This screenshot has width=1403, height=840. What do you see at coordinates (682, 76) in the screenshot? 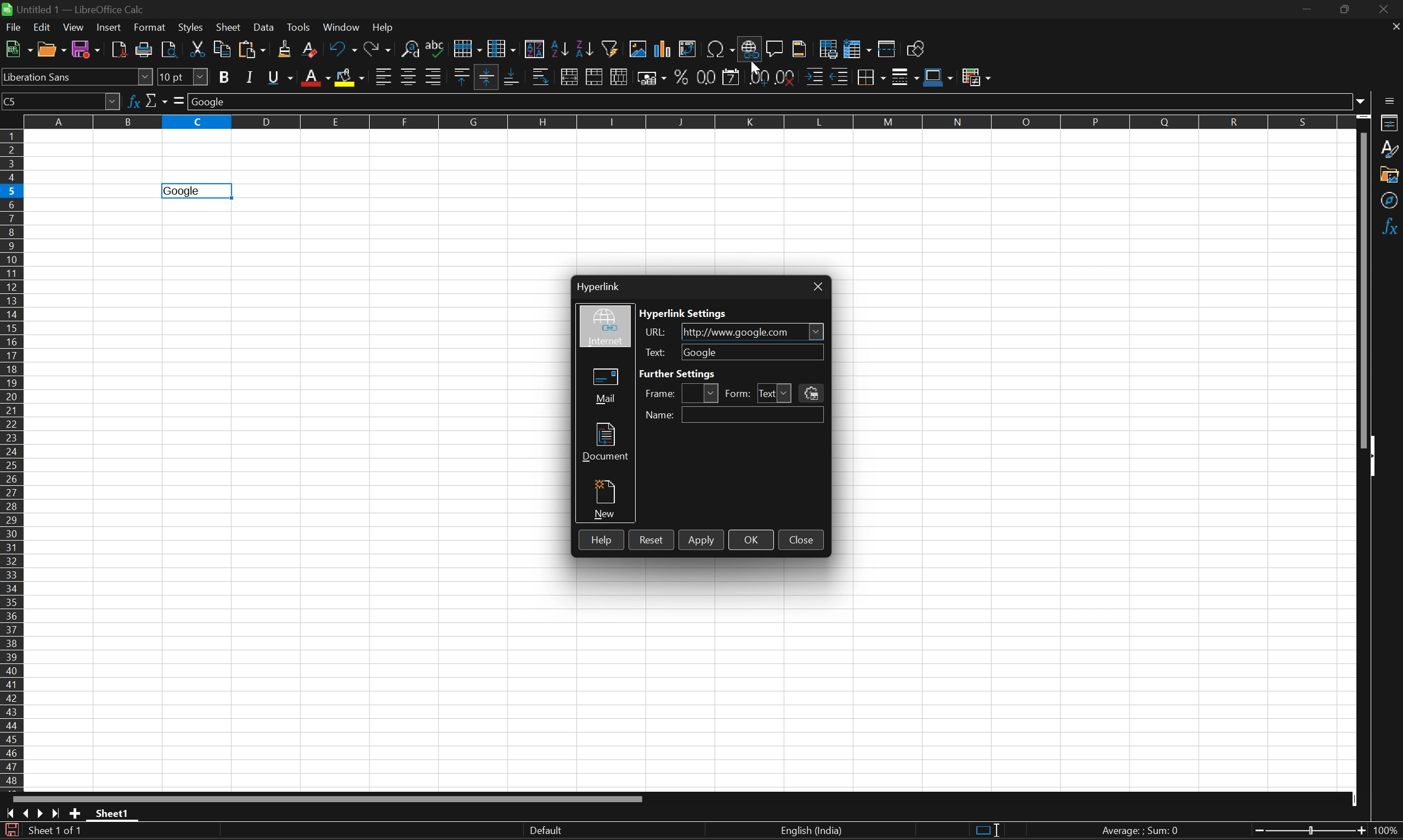
I see `Format as percent` at bounding box center [682, 76].